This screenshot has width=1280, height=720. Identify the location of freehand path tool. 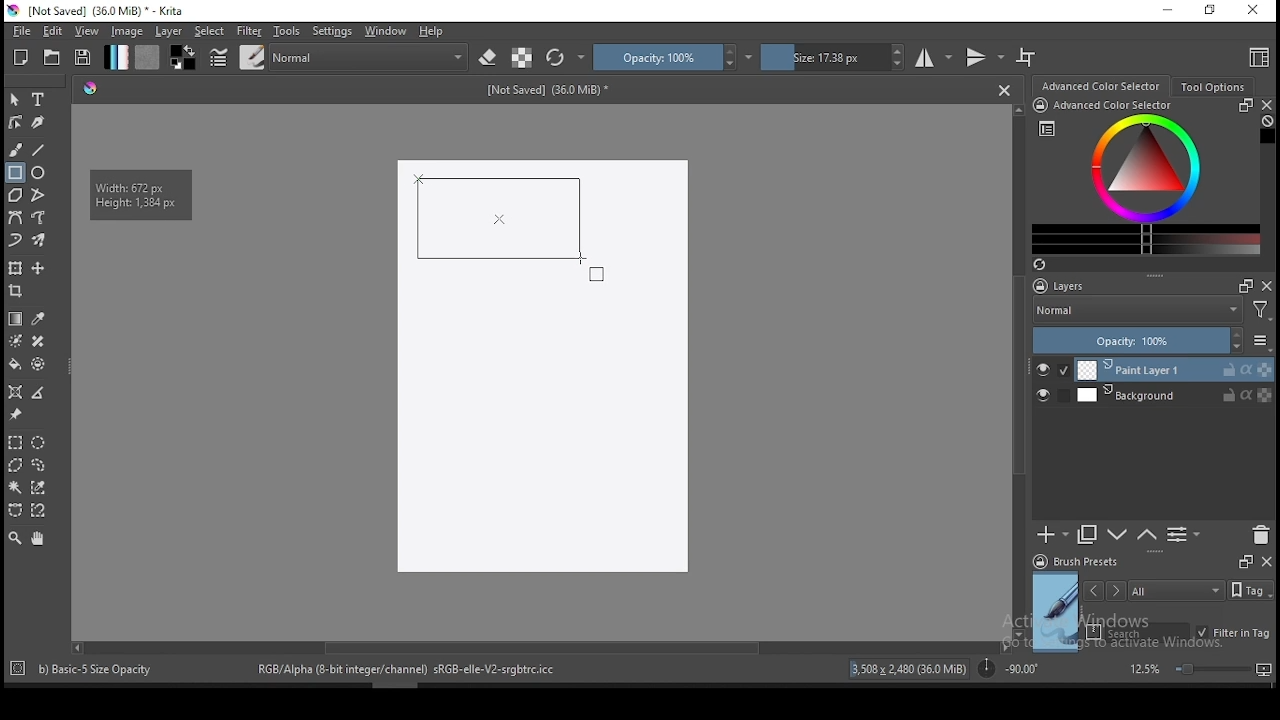
(40, 218).